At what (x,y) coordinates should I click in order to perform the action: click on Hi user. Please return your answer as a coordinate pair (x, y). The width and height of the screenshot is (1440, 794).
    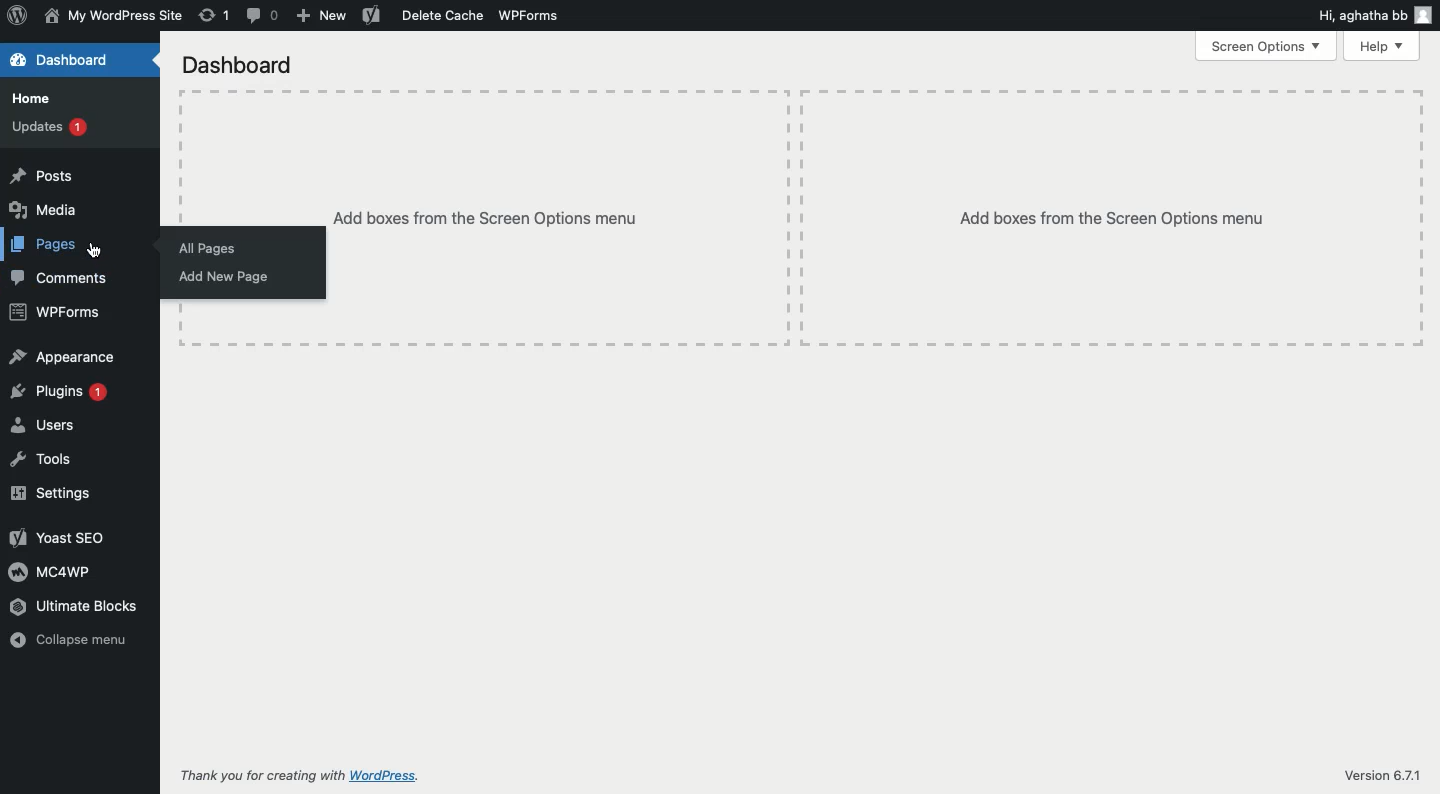
    Looking at the image, I should click on (1373, 14).